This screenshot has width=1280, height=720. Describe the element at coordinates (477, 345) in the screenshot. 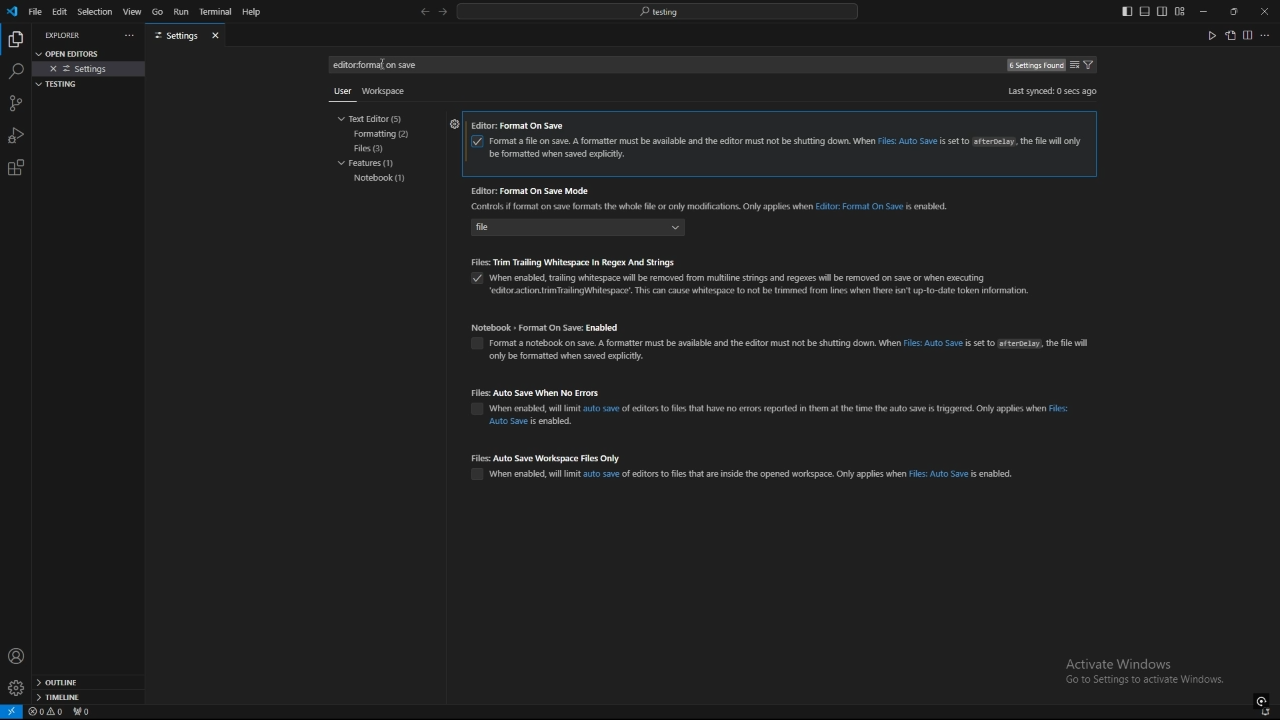

I see `unchecked` at that location.